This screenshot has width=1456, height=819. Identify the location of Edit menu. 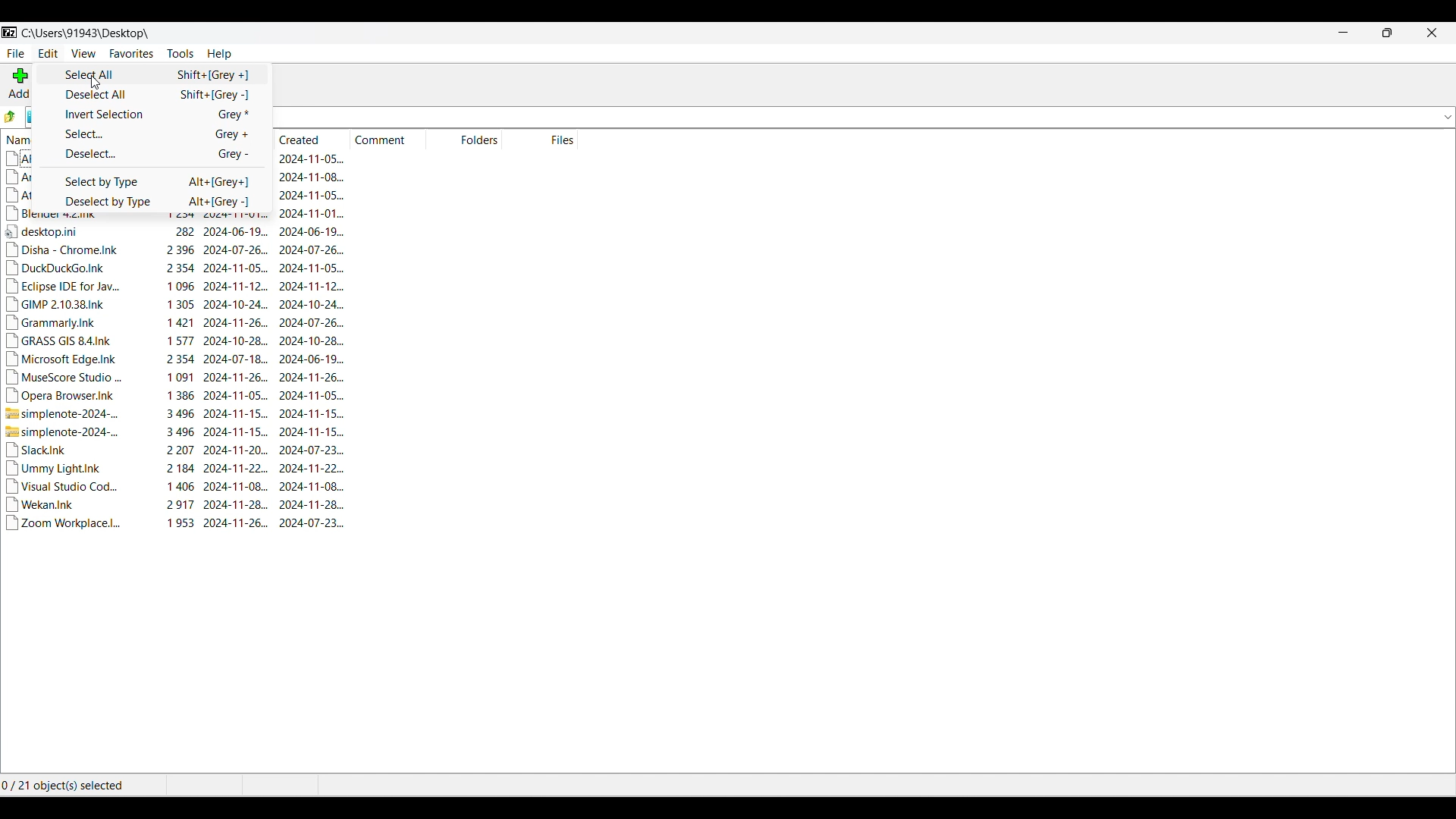
(49, 54).